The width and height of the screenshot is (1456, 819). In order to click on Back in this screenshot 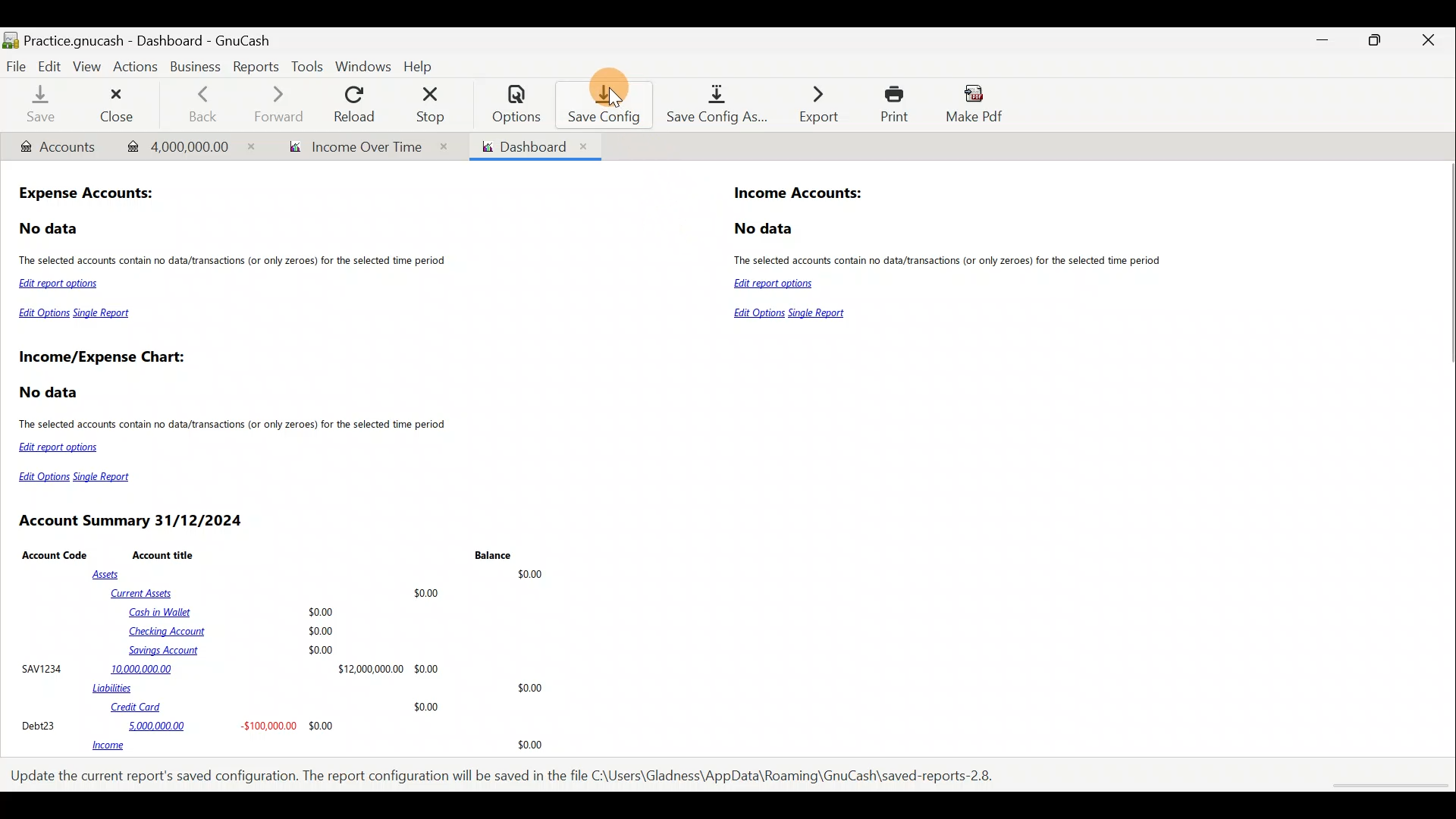, I will do `click(202, 102)`.